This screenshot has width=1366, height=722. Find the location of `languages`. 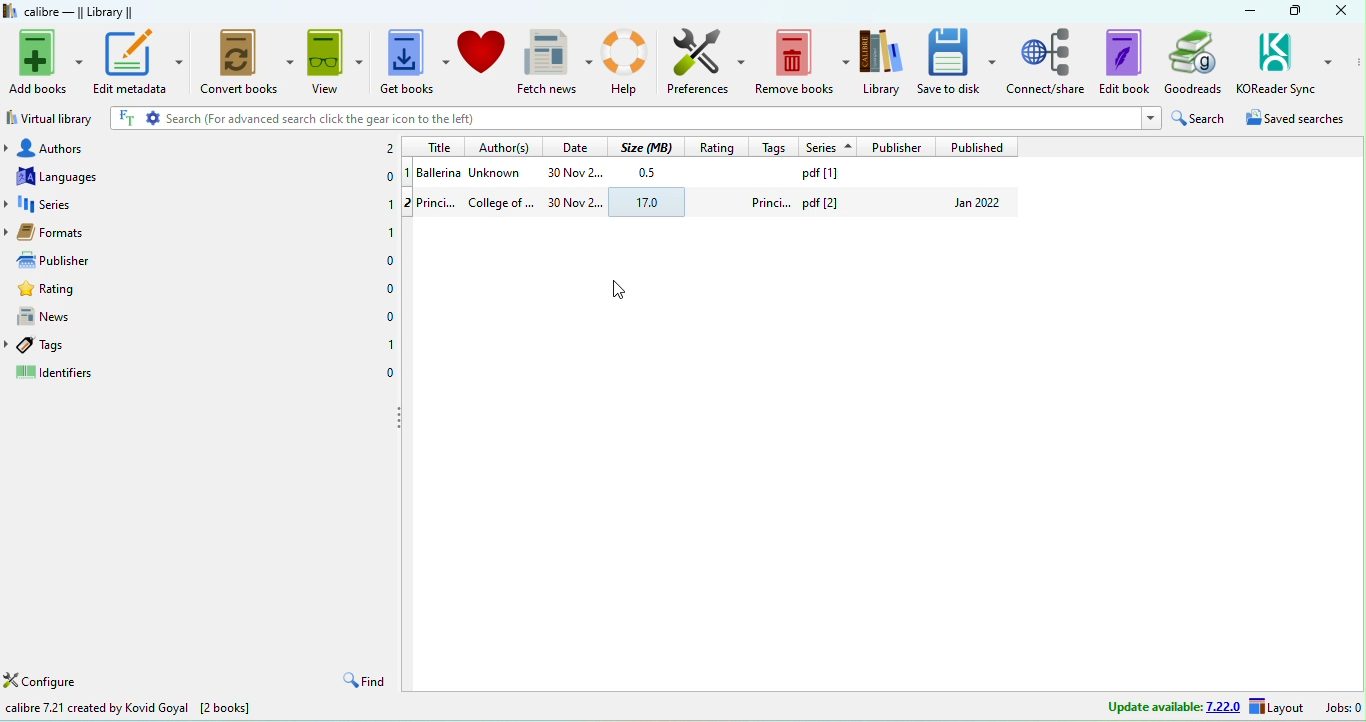

languages is located at coordinates (79, 176).